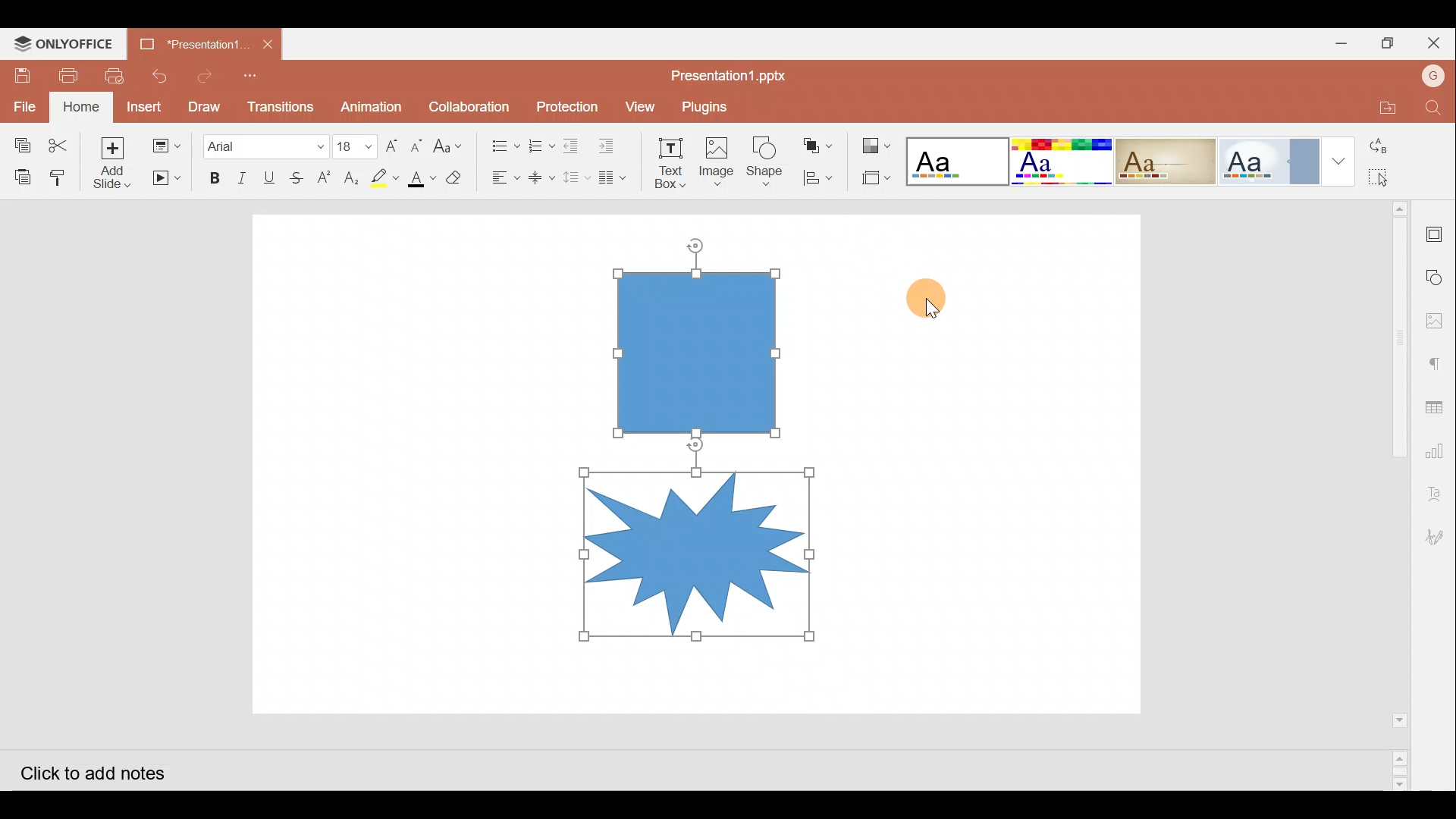  Describe the element at coordinates (500, 142) in the screenshot. I see `Bullets` at that location.